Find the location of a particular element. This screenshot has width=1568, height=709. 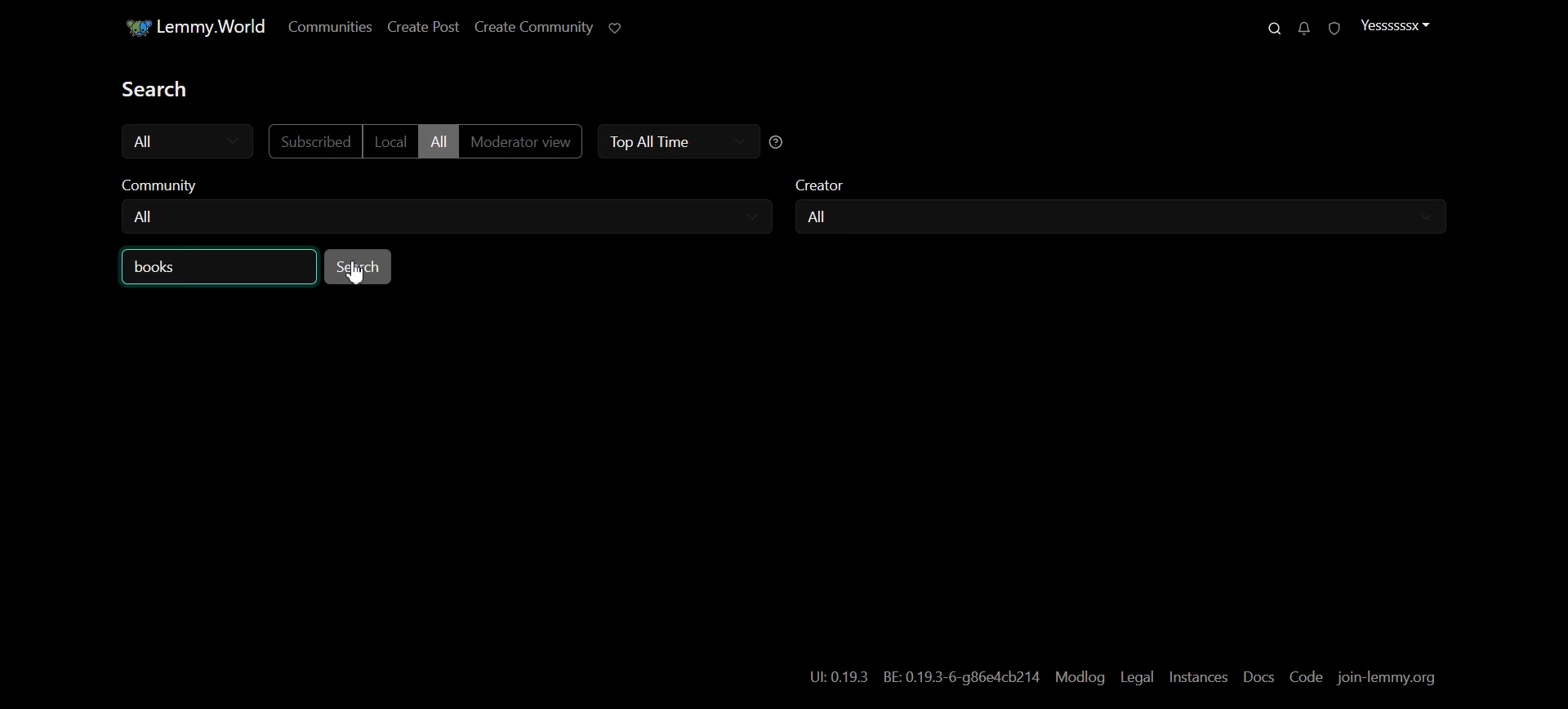

Local is located at coordinates (389, 142).